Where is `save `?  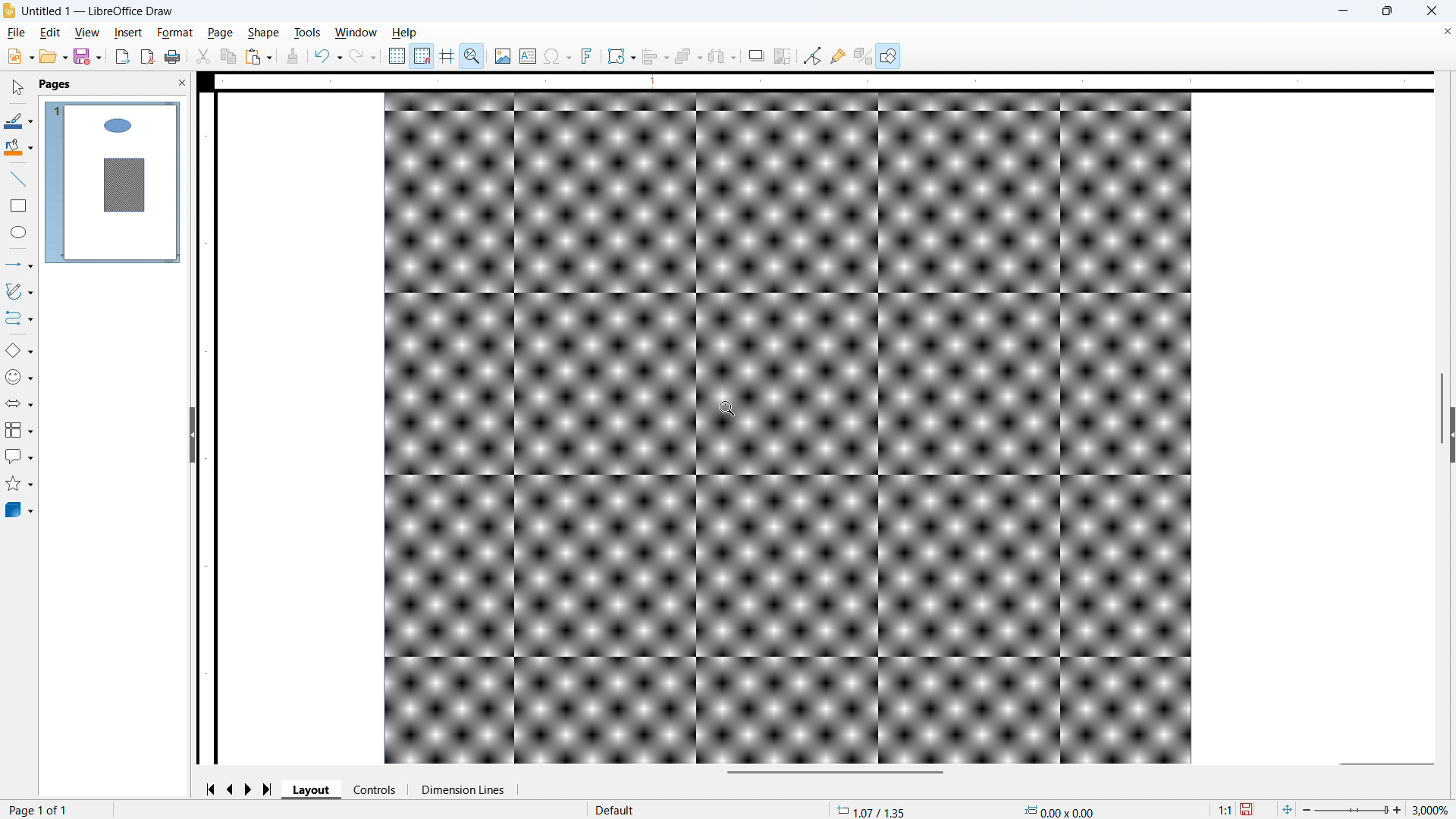
save  is located at coordinates (1248, 809).